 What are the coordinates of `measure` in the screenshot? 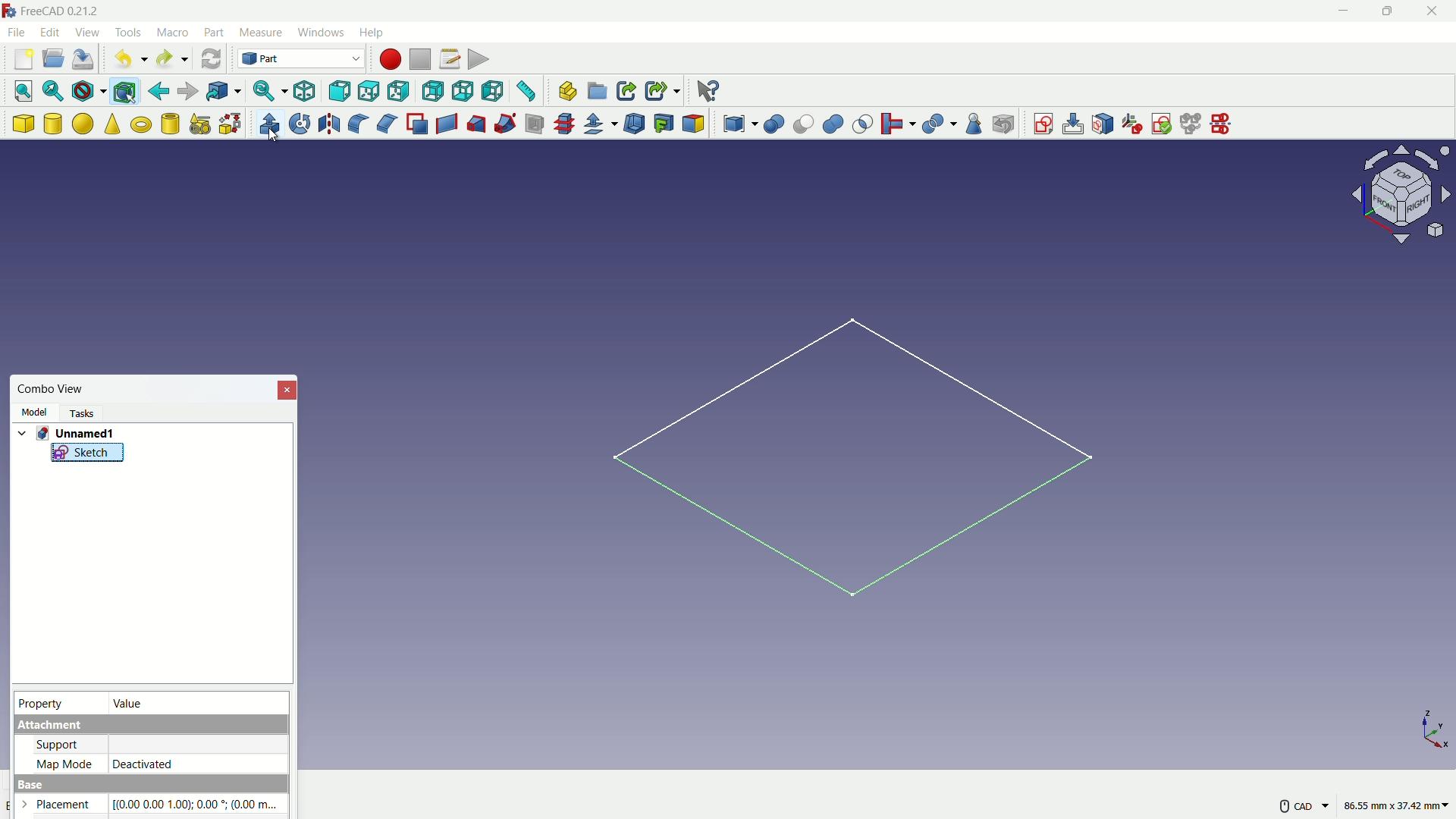 It's located at (261, 32).